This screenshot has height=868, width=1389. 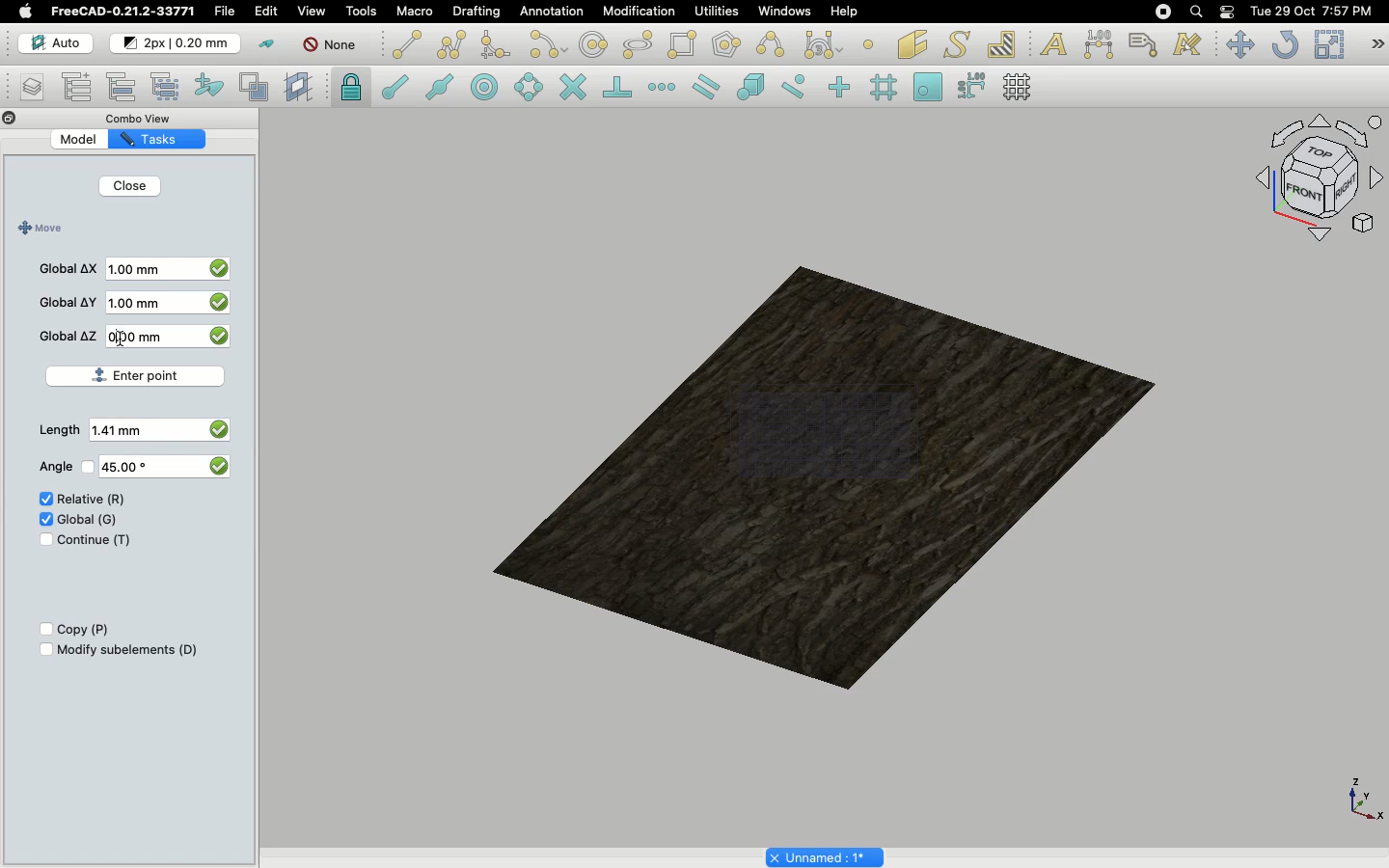 What do you see at coordinates (361, 12) in the screenshot?
I see `Tools` at bounding box center [361, 12].